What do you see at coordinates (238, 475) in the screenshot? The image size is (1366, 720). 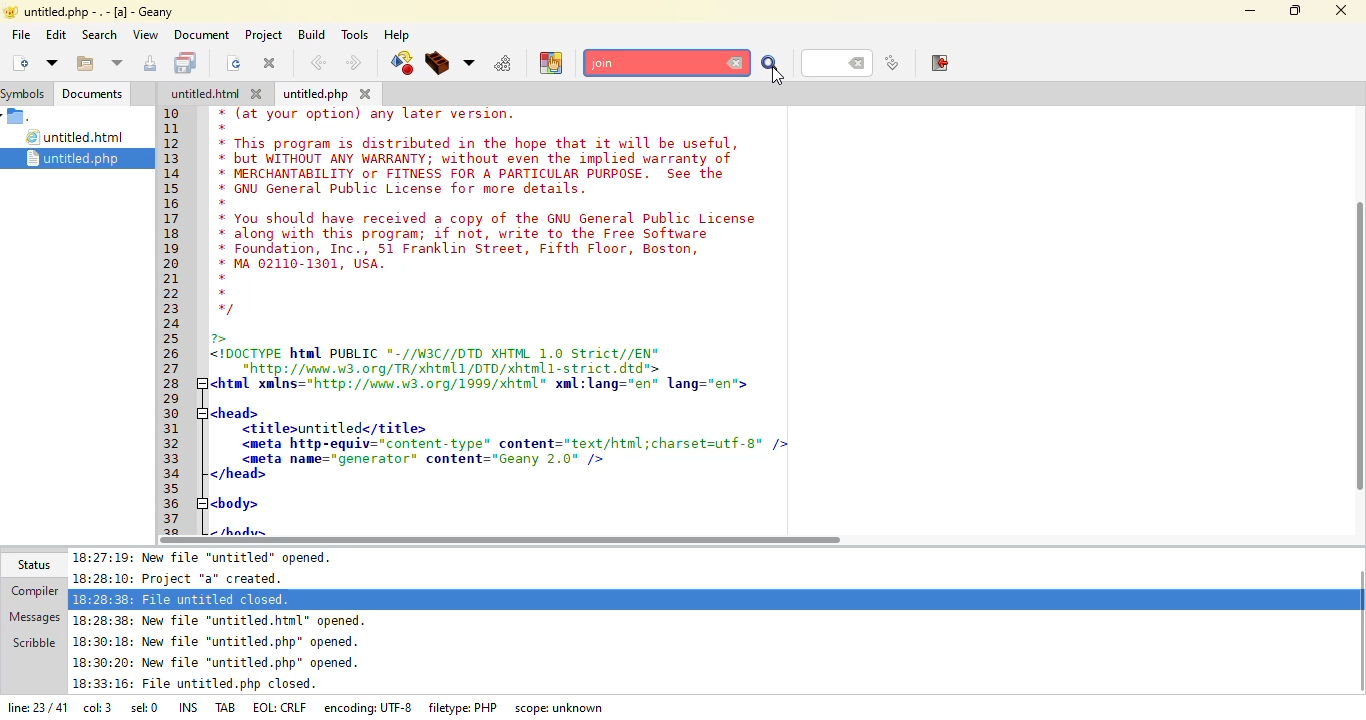 I see `</head>` at bounding box center [238, 475].